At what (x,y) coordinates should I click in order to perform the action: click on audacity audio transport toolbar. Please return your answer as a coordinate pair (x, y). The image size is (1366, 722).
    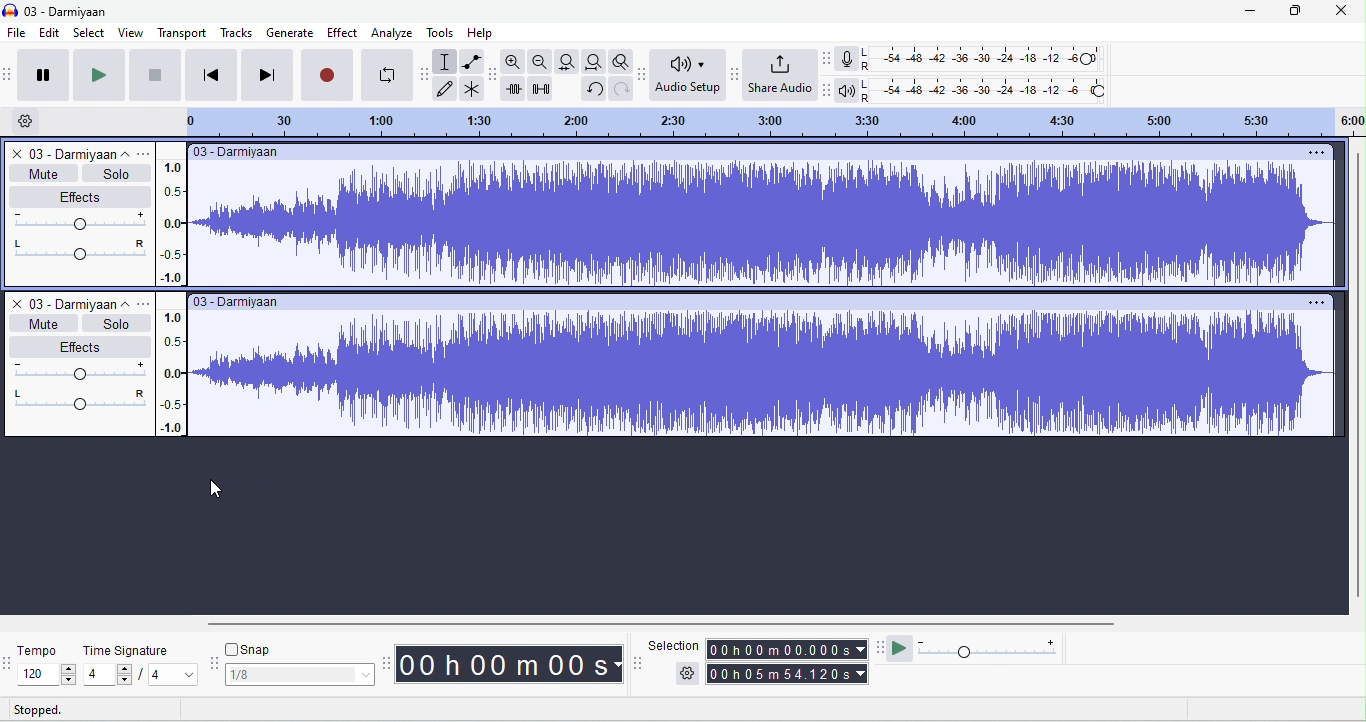
    Looking at the image, I should click on (9, 74).